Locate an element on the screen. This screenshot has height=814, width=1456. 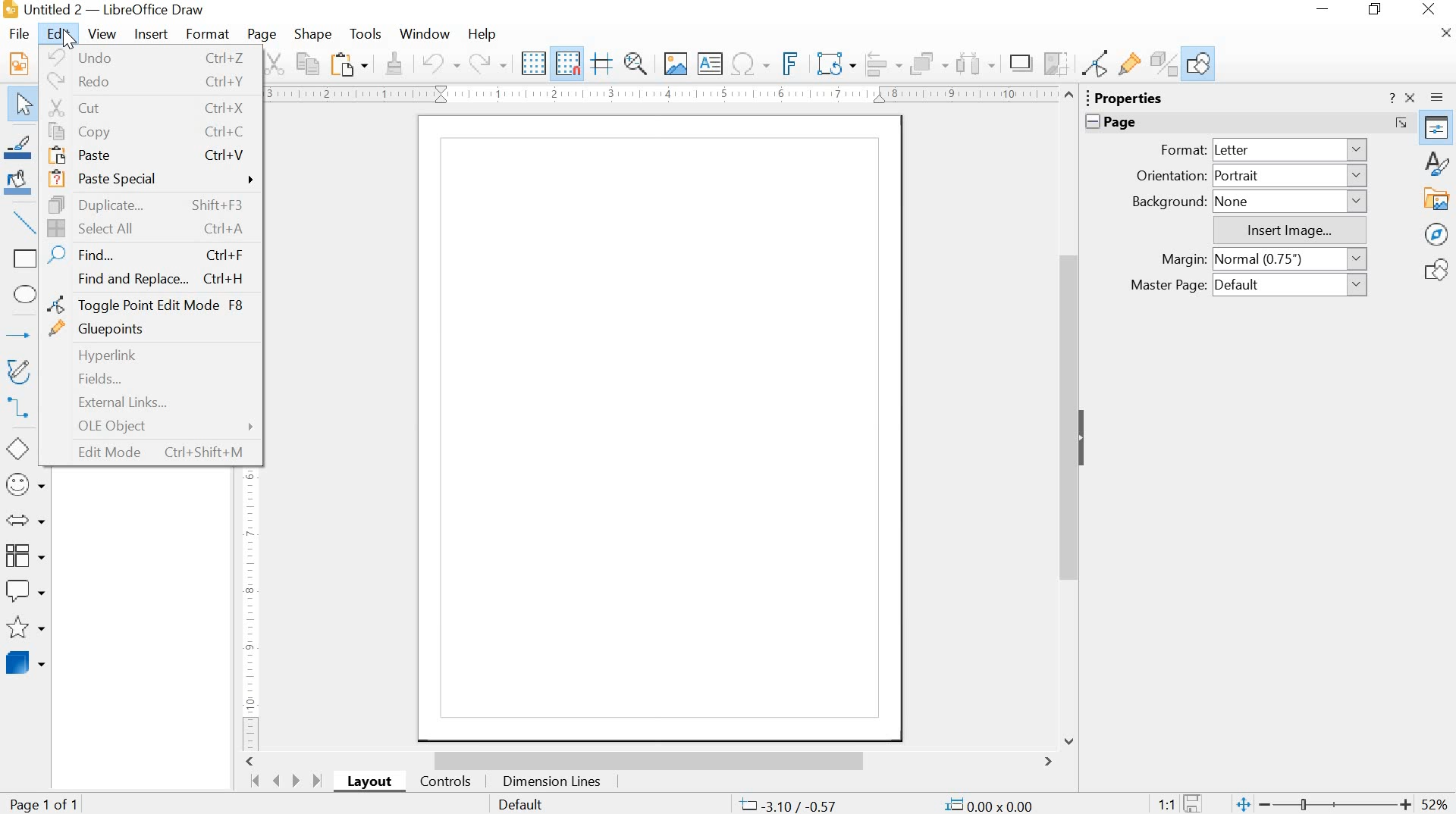
Display Grid is located at coordinates (535, 63).